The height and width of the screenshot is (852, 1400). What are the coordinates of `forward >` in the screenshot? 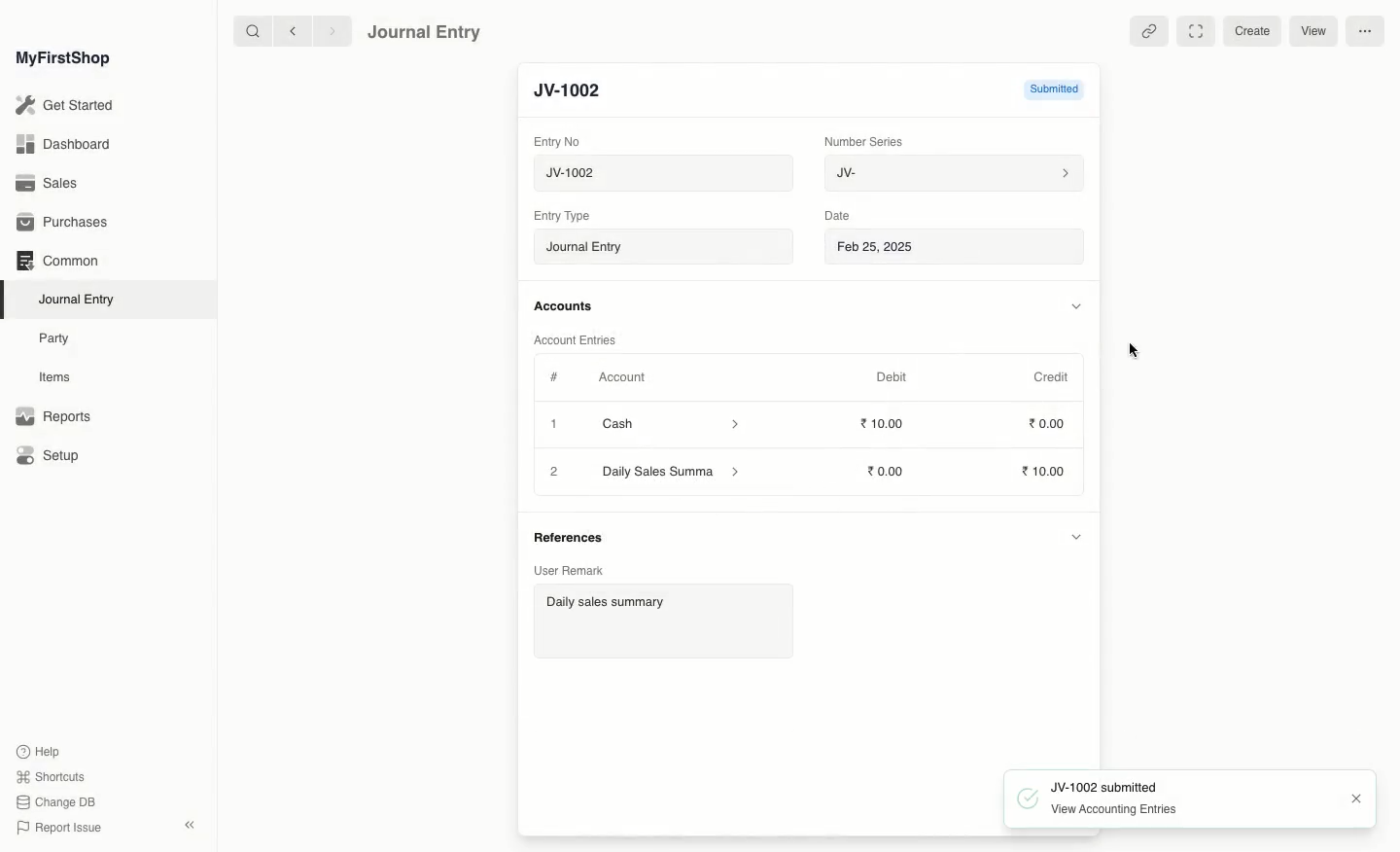 It's located at (328, 30).